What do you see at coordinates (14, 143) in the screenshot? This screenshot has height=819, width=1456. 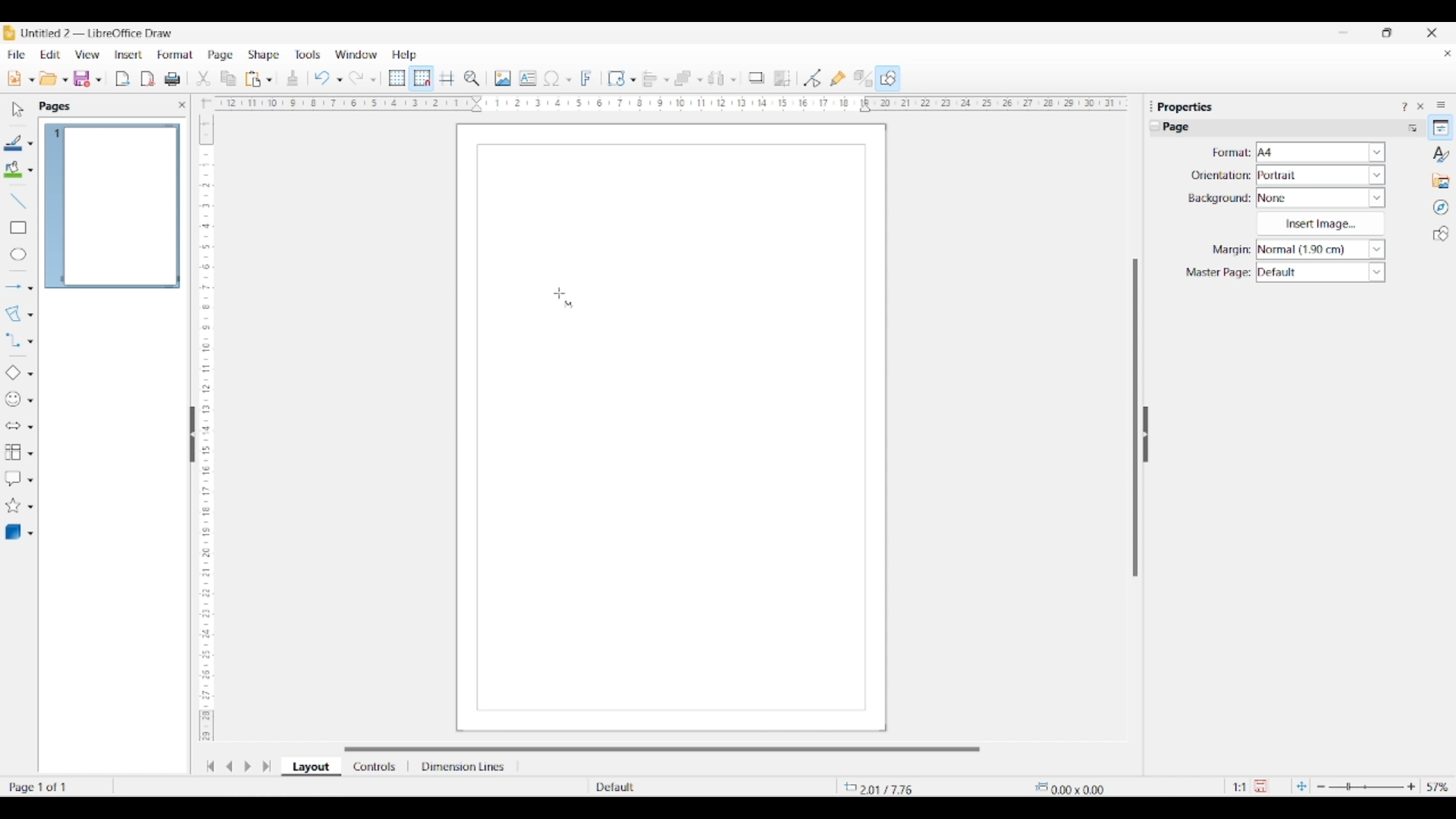 I see `Selected line color` at bounding box center [14, 143].